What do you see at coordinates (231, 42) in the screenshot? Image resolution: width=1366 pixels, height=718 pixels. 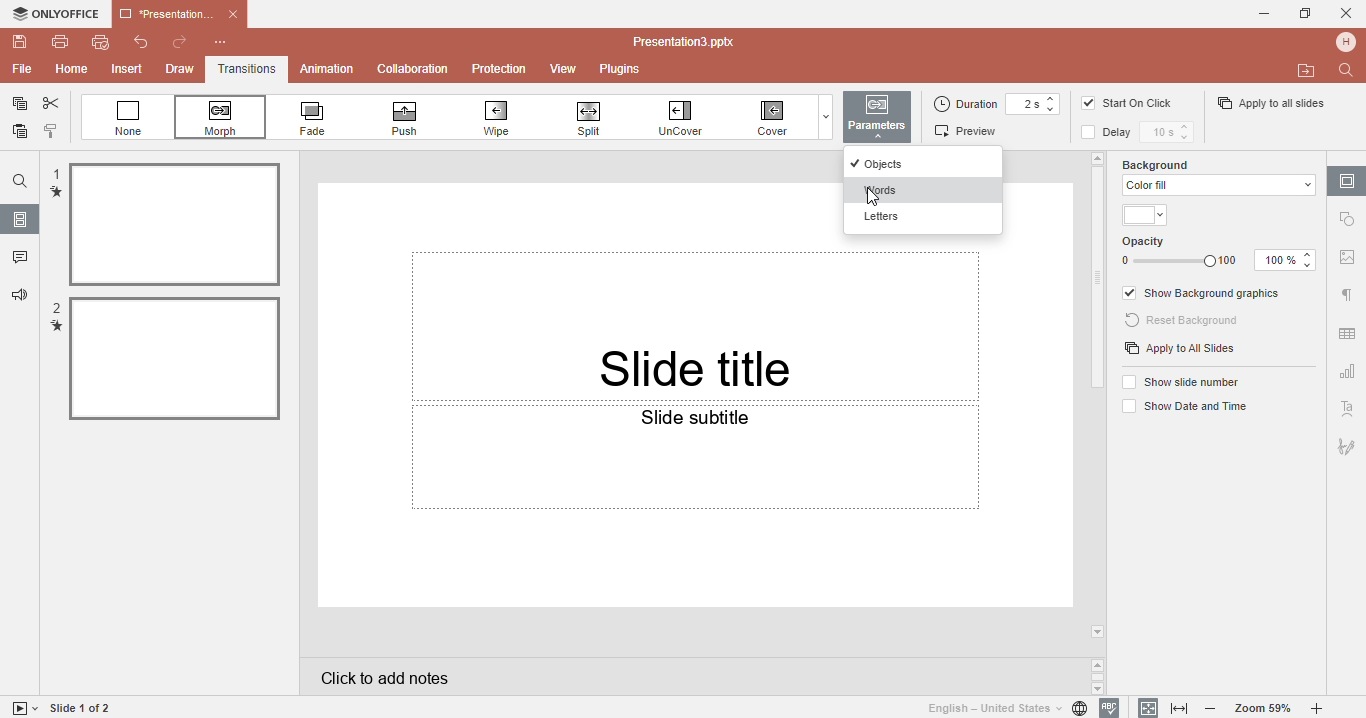 I see `Customize quick access toolbar` at bounding box center [231, 42].